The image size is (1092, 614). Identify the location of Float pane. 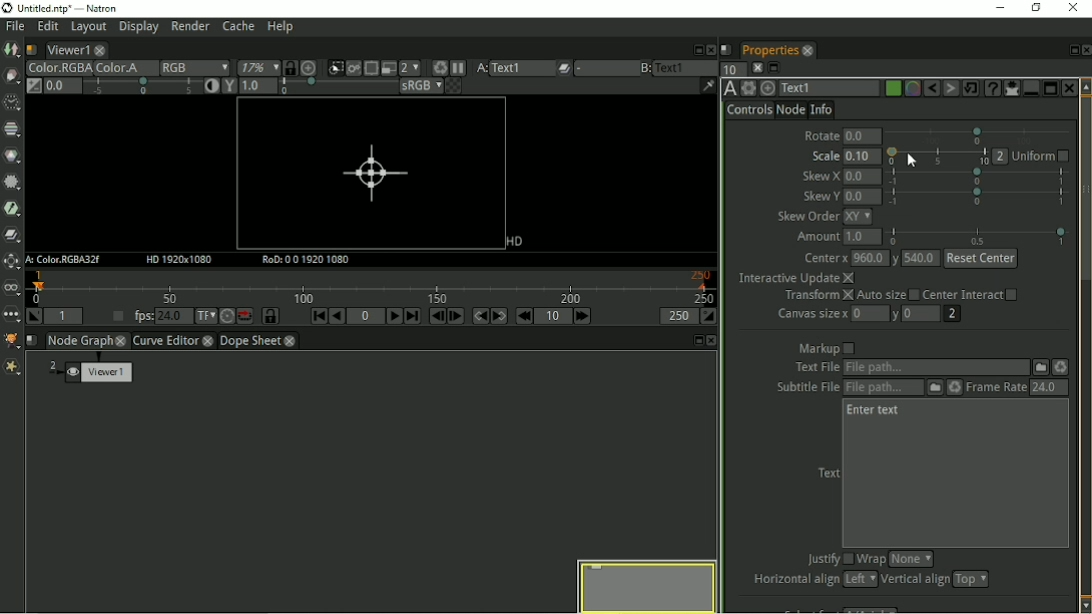
(1072, 49).